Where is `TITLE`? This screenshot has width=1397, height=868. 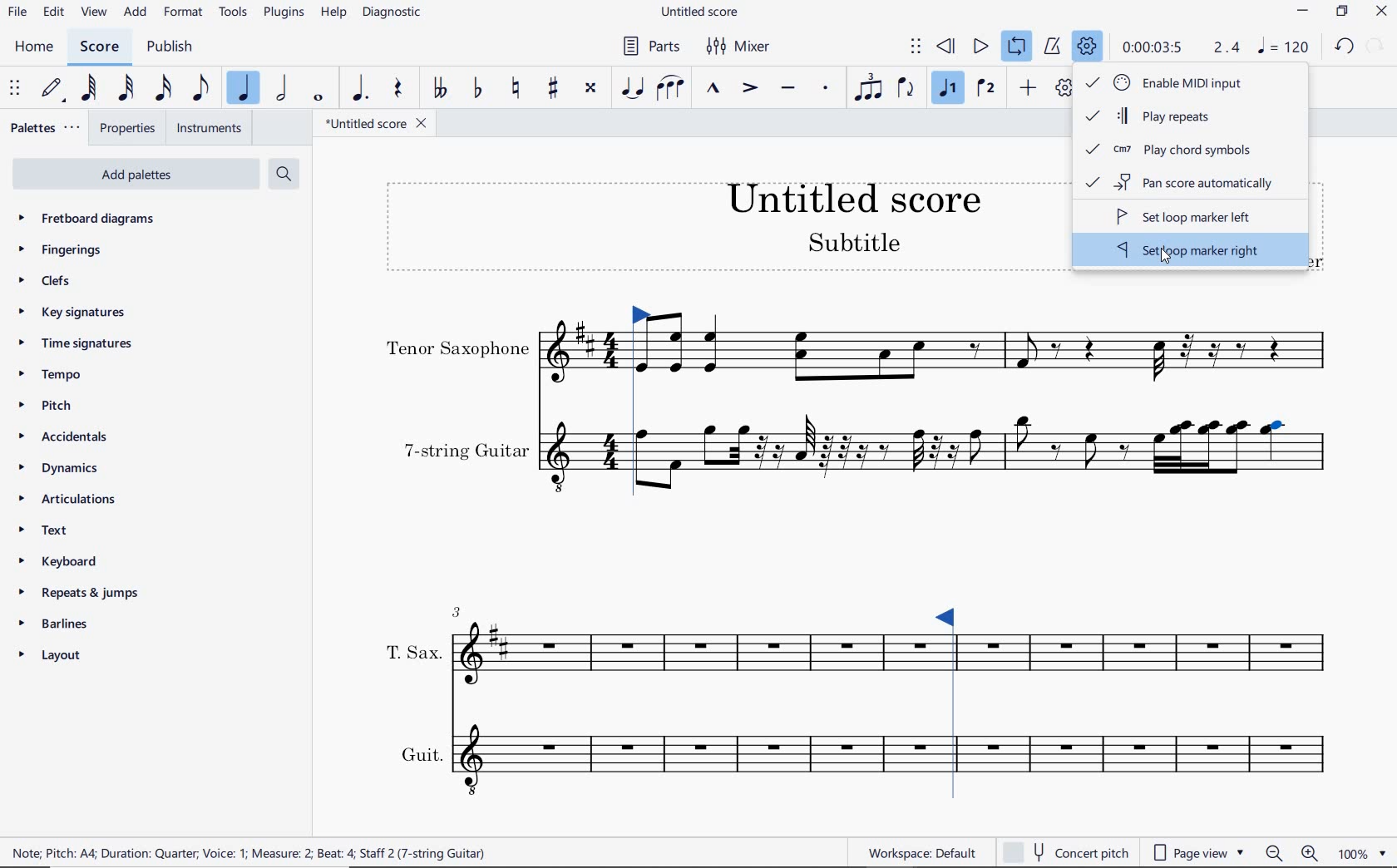 TITLE is located at coordinates (702, 223).